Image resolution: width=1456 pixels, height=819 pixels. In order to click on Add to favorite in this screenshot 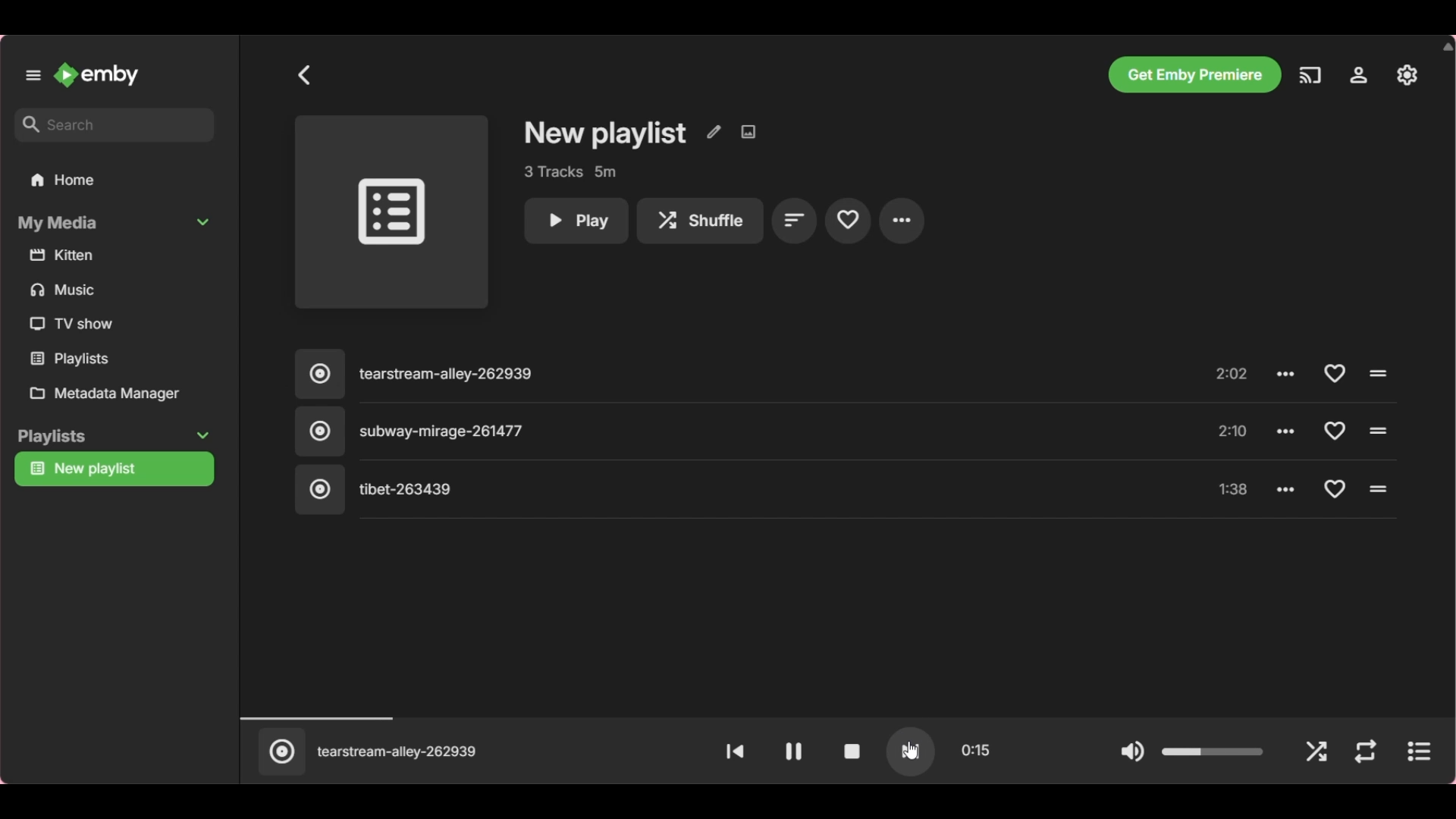, I will do `click(1330, 428)`.